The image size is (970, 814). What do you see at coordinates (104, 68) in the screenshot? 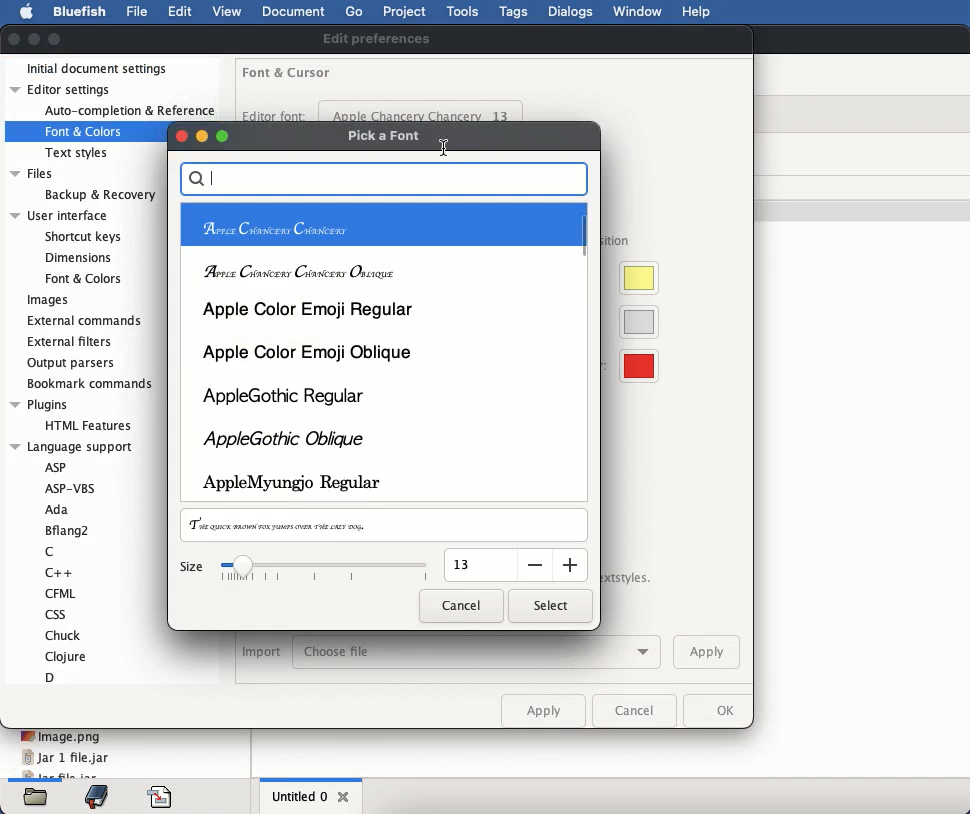
I see `initial document settings` at bounding box center [104, 68].